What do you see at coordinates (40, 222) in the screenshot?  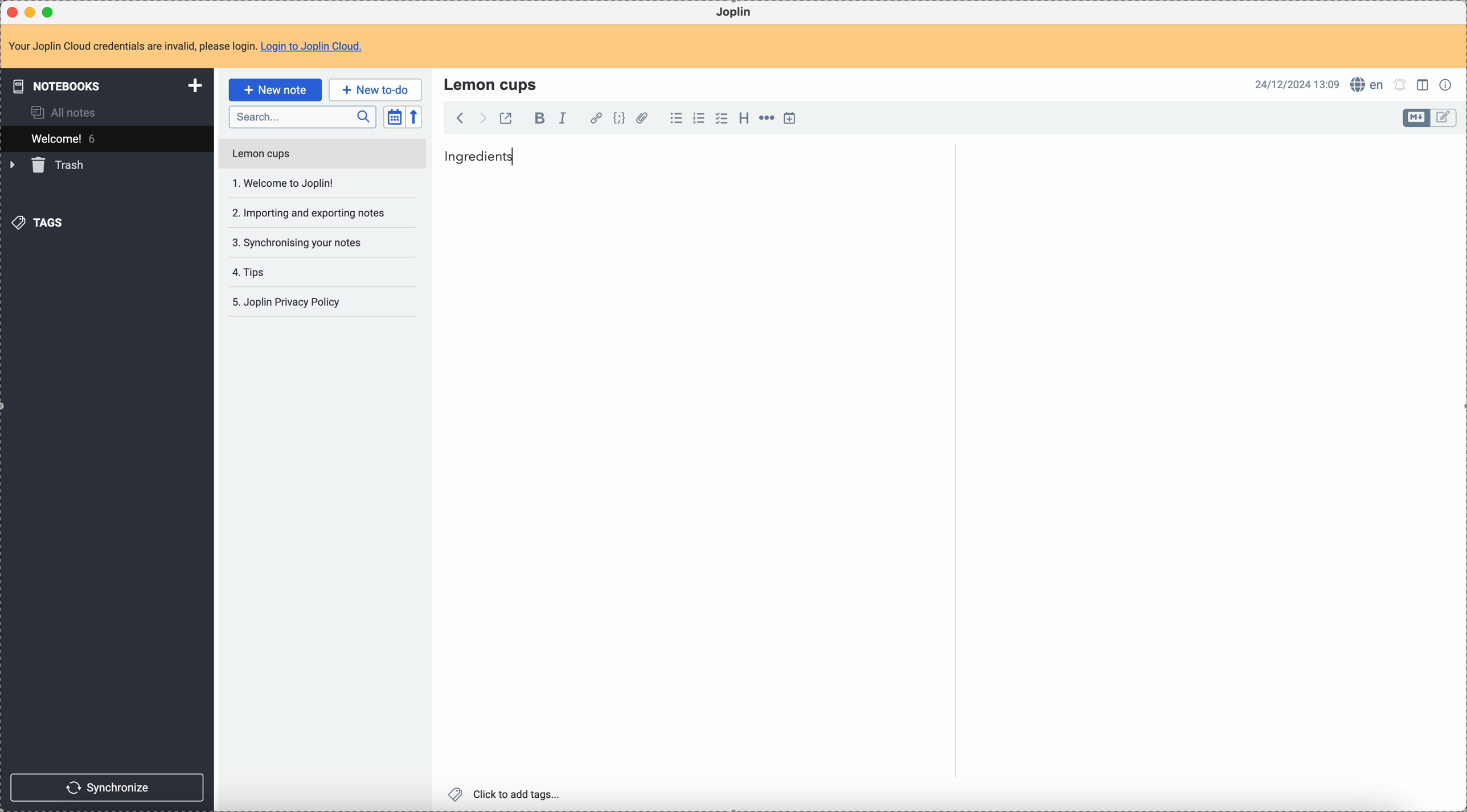 I see `tags` at bounding box center [40, 222].